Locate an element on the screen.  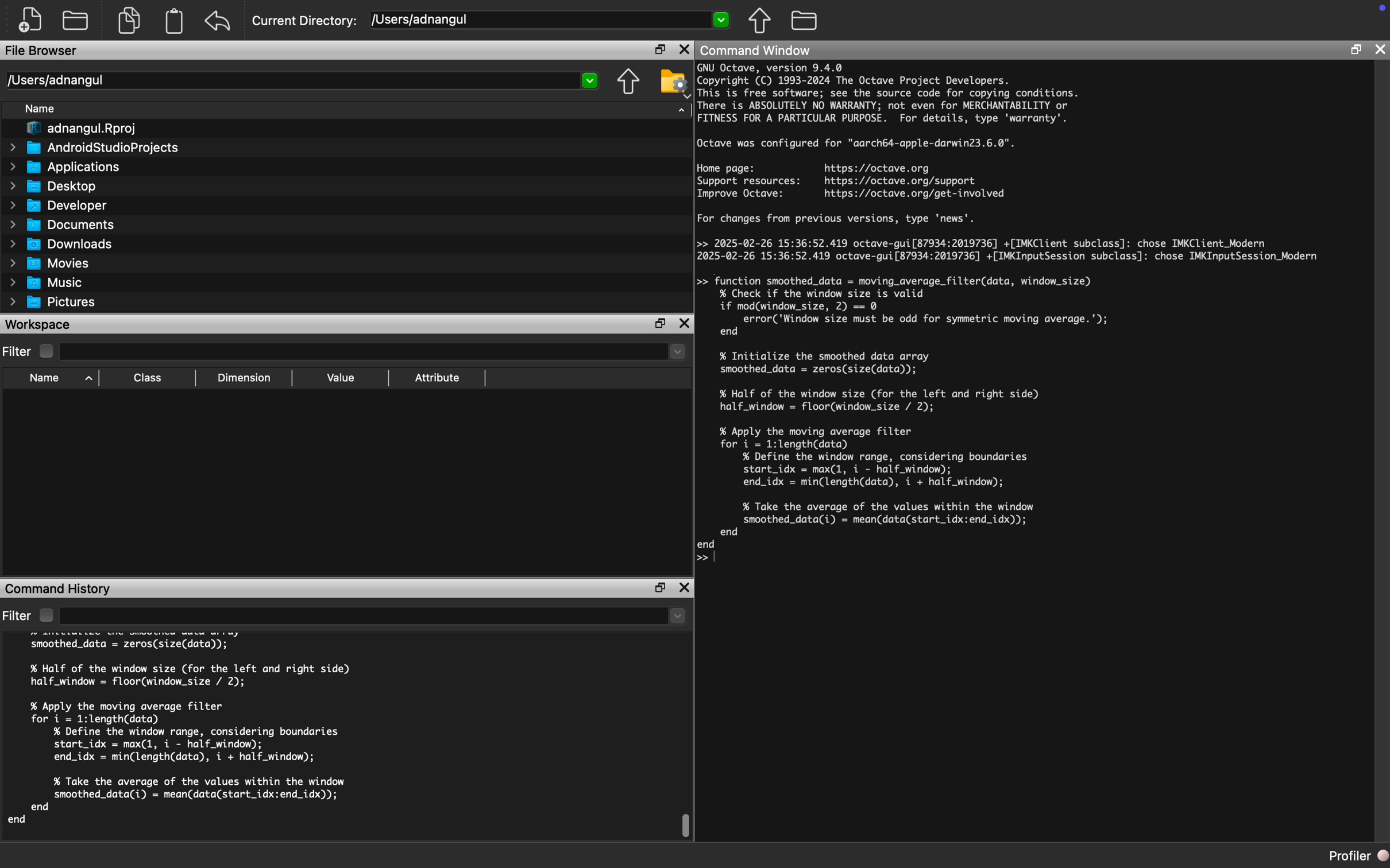
half_window = floor(window_size / 2);
% Apply the moving average filter
for i = 1:length(data)
% Define the window range, considering boundaries
start_idx = max(1, i - half_window);
end_idx = min(length(data), i + half_window);
% Take the average of the values within the window
smoothed_data(i) = mean(data(start_idx:end_idx));
end
end
cle is located at coordinates (182, 731).